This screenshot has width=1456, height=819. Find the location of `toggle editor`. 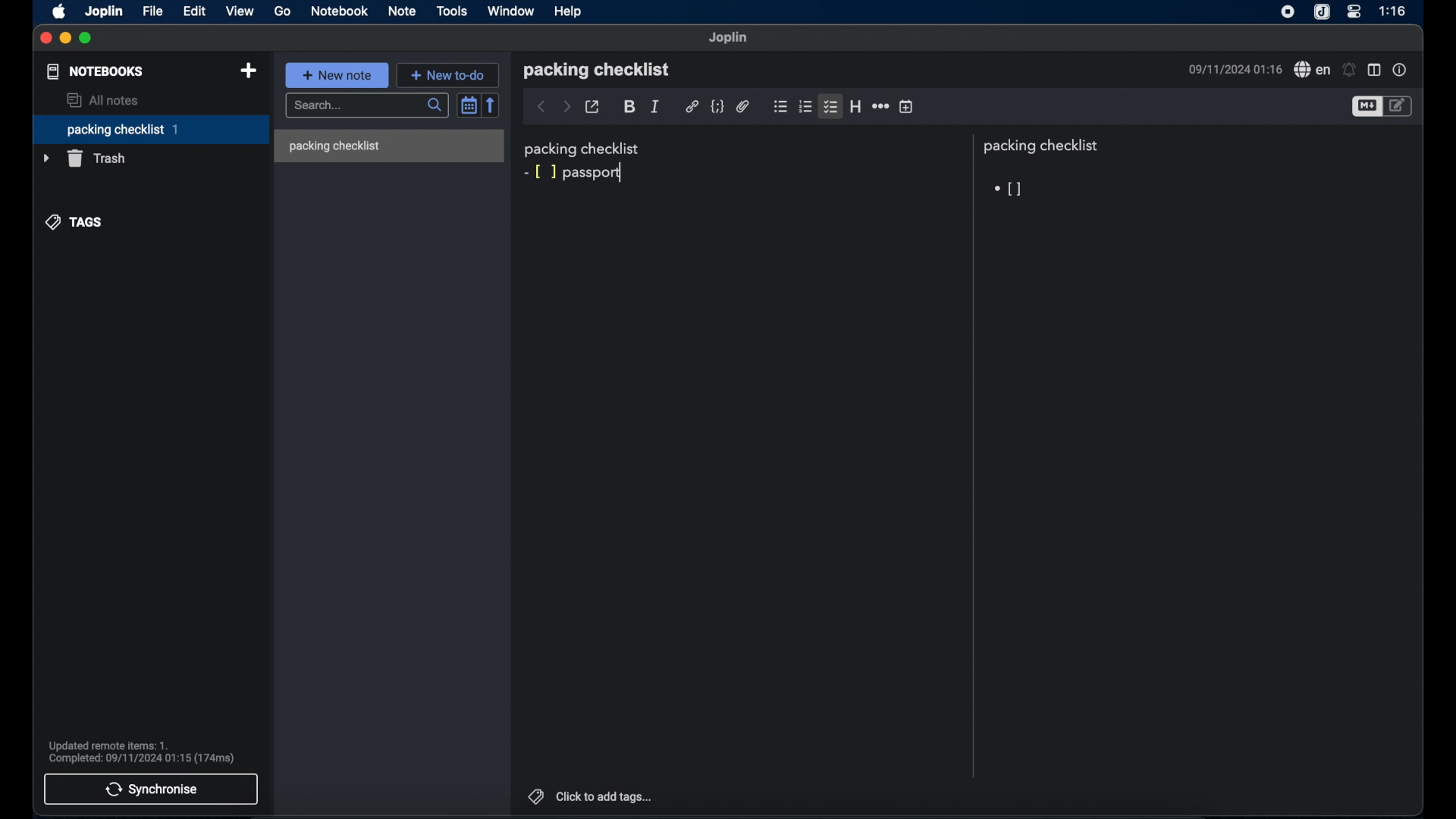

toggle editor is located at coordinates (1366, 107).